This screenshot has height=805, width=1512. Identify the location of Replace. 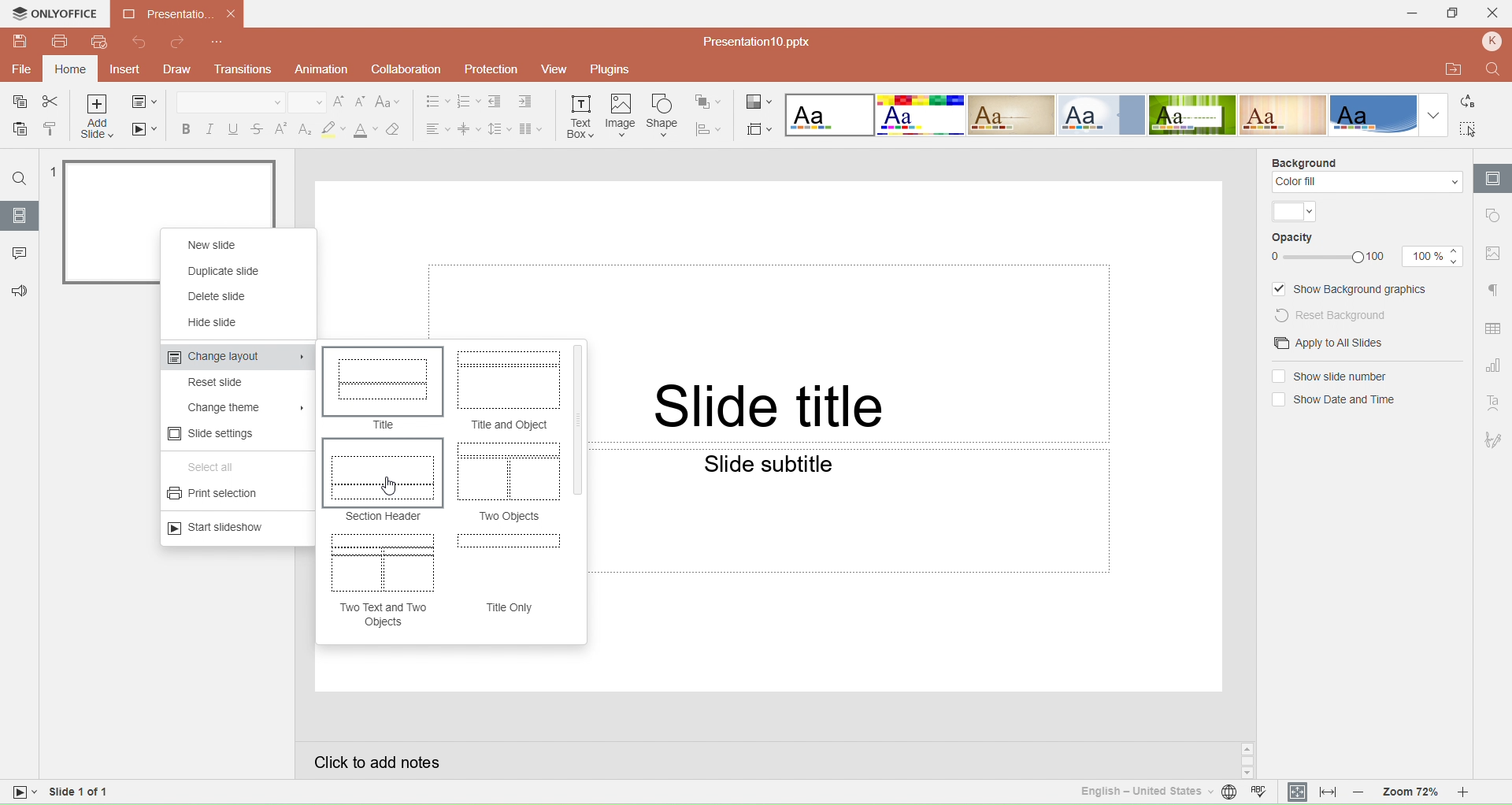
(1473, 103).